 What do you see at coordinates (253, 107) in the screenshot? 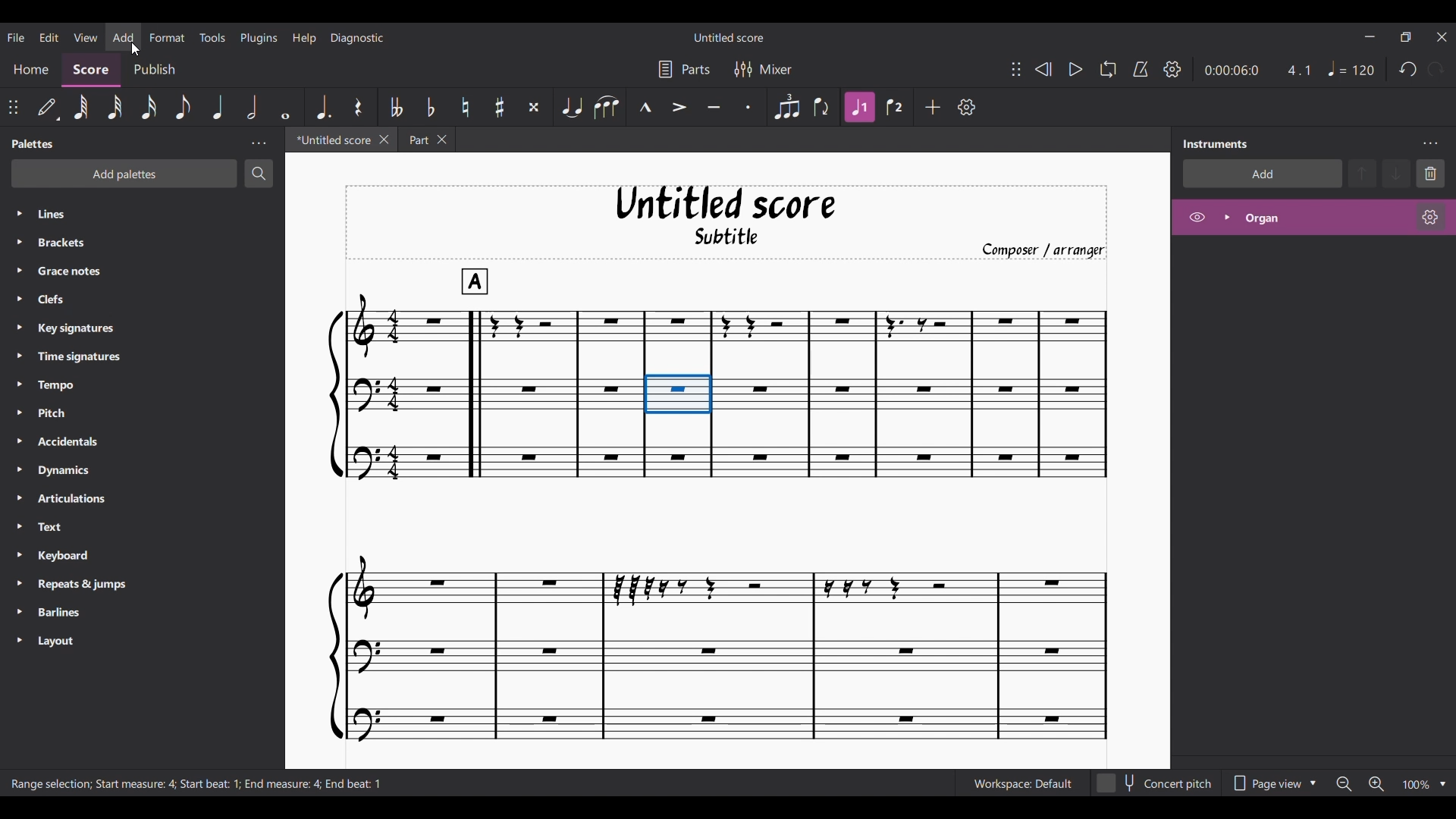
I see `Half note` at bounding box center [253, 107].